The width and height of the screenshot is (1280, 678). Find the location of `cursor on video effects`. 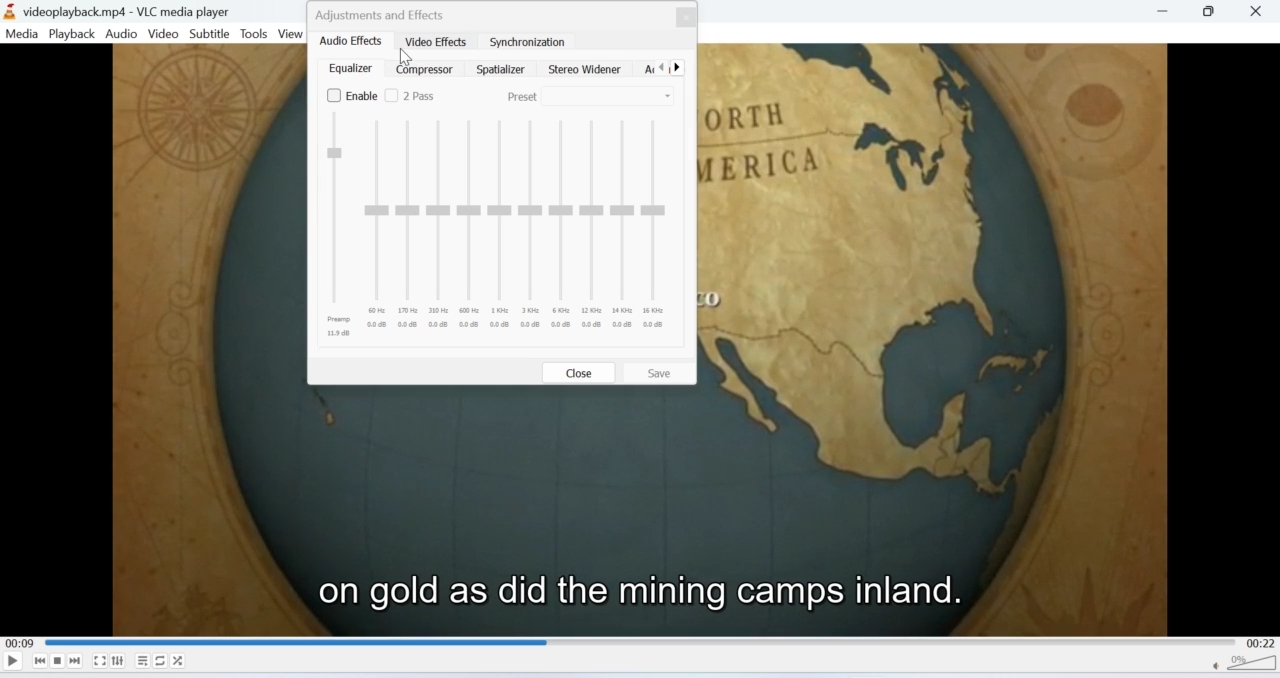

cursor on video effects is located at coordinates (406, 55).